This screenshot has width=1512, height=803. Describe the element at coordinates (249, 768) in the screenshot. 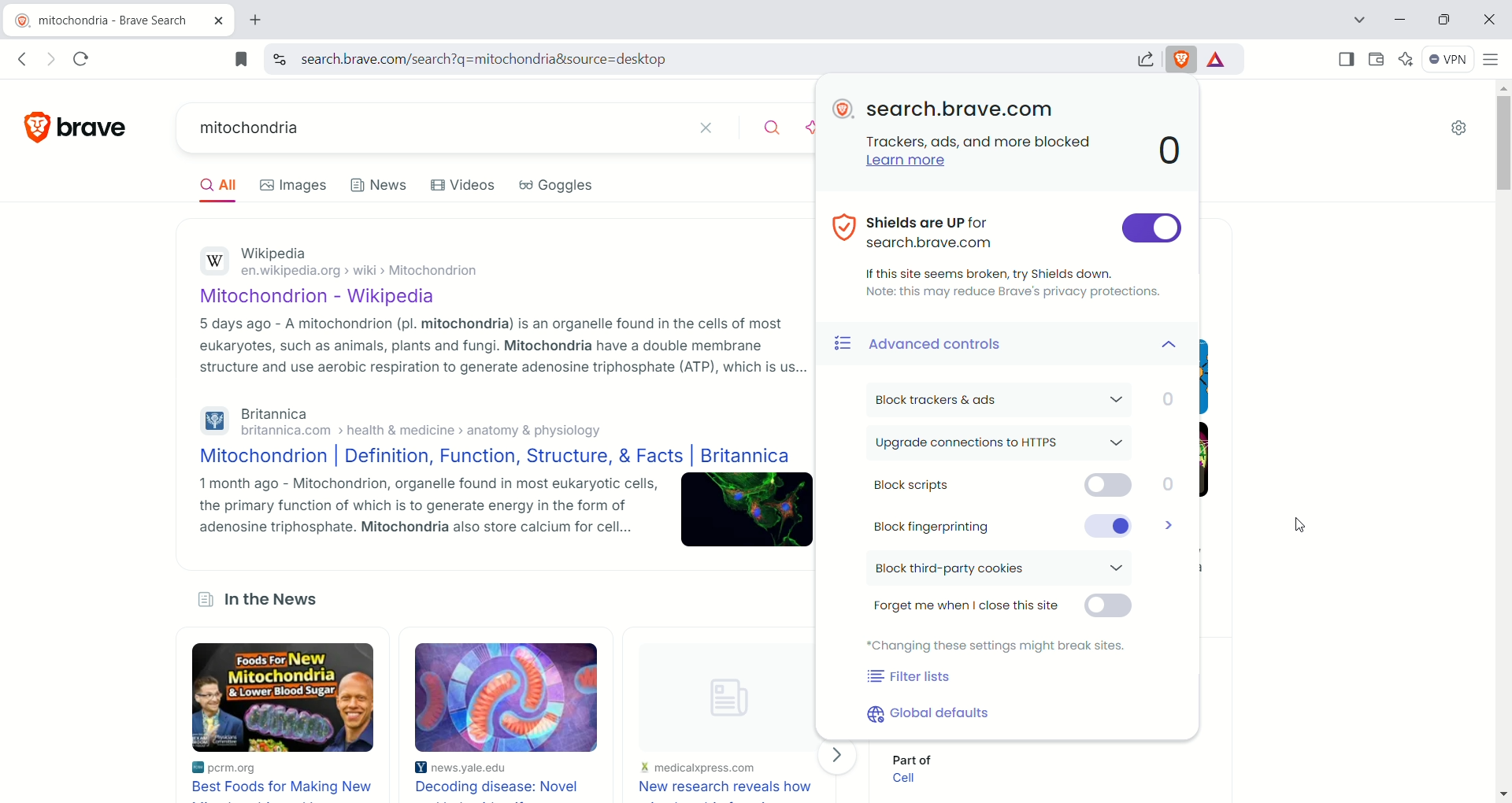

I see `pcrm.org` at that location.